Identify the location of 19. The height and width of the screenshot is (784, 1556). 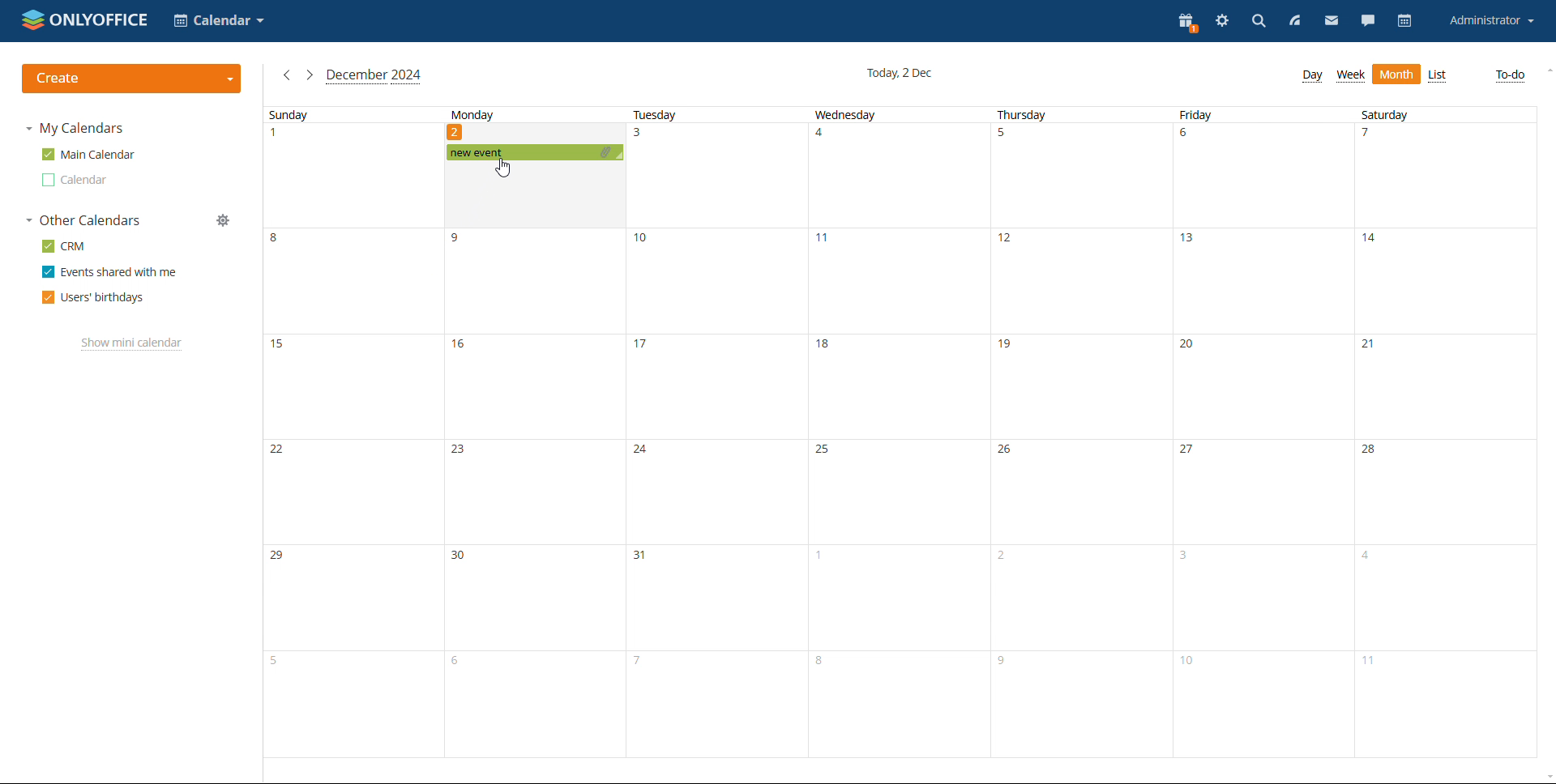
(1009, 349).